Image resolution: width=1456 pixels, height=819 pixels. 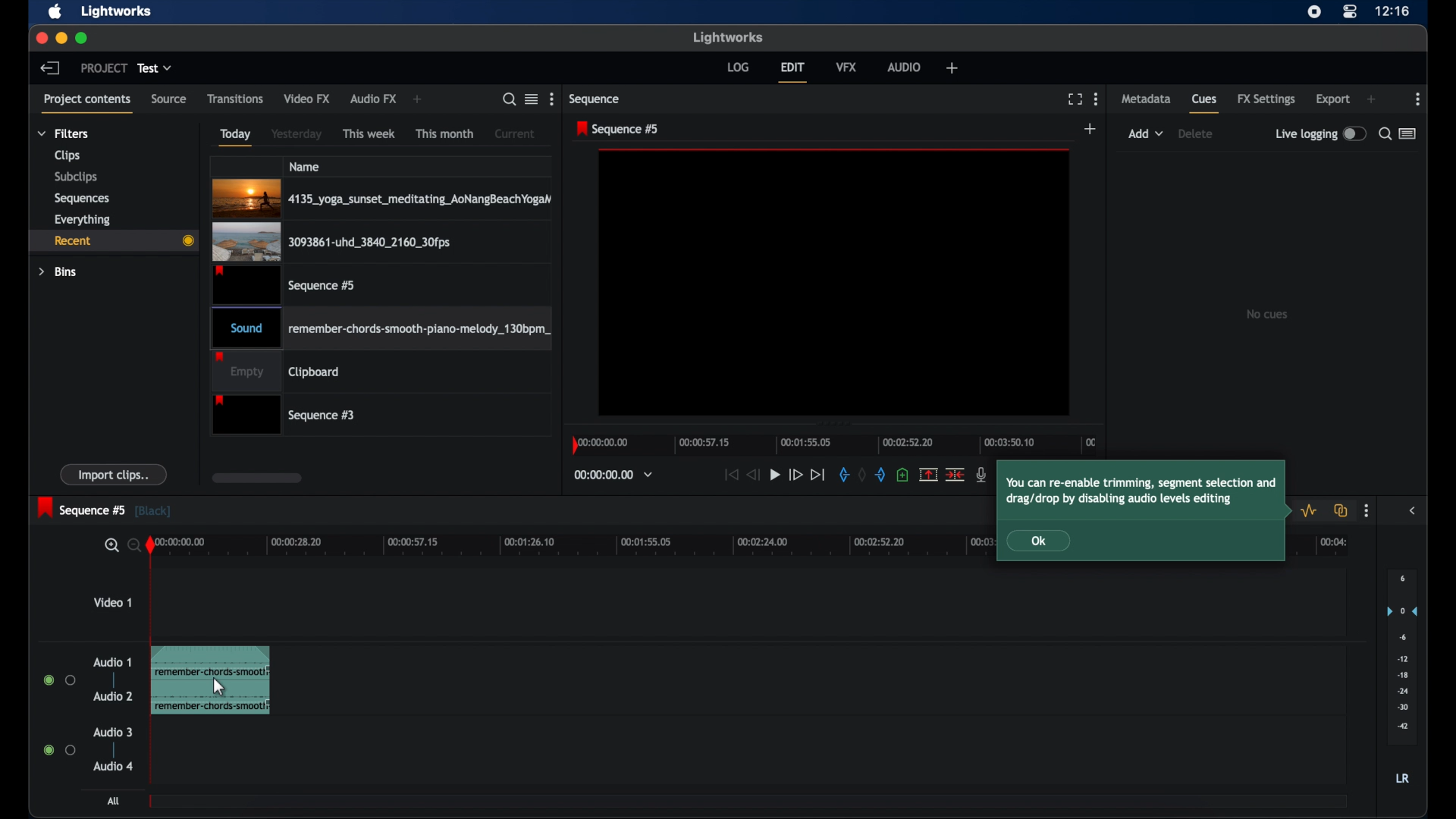 What do you see at coordinates (55, 12) in the screenshot?
I see `apple icon` at bounding box center [55, 12].